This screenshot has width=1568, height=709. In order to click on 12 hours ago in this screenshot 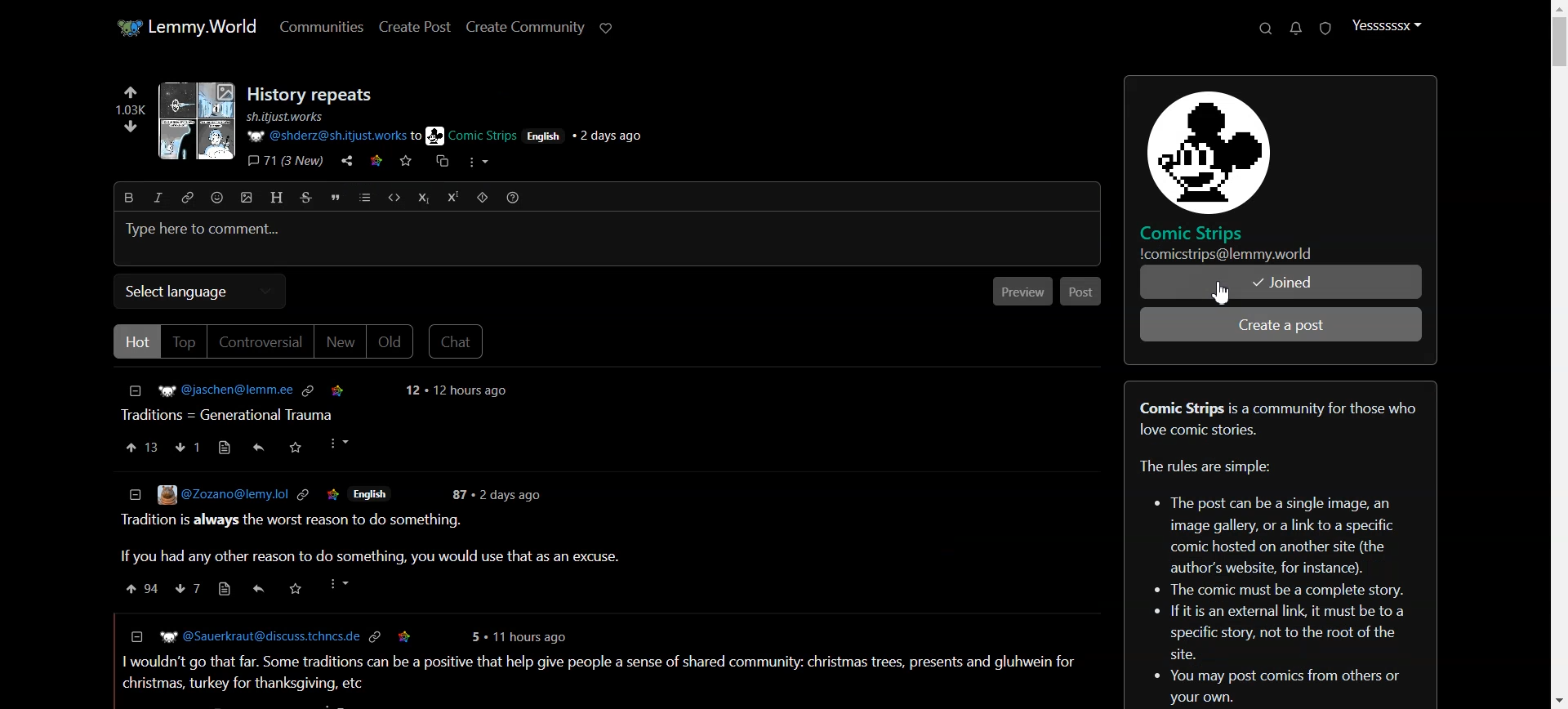, I will do `click(457, 391)`.